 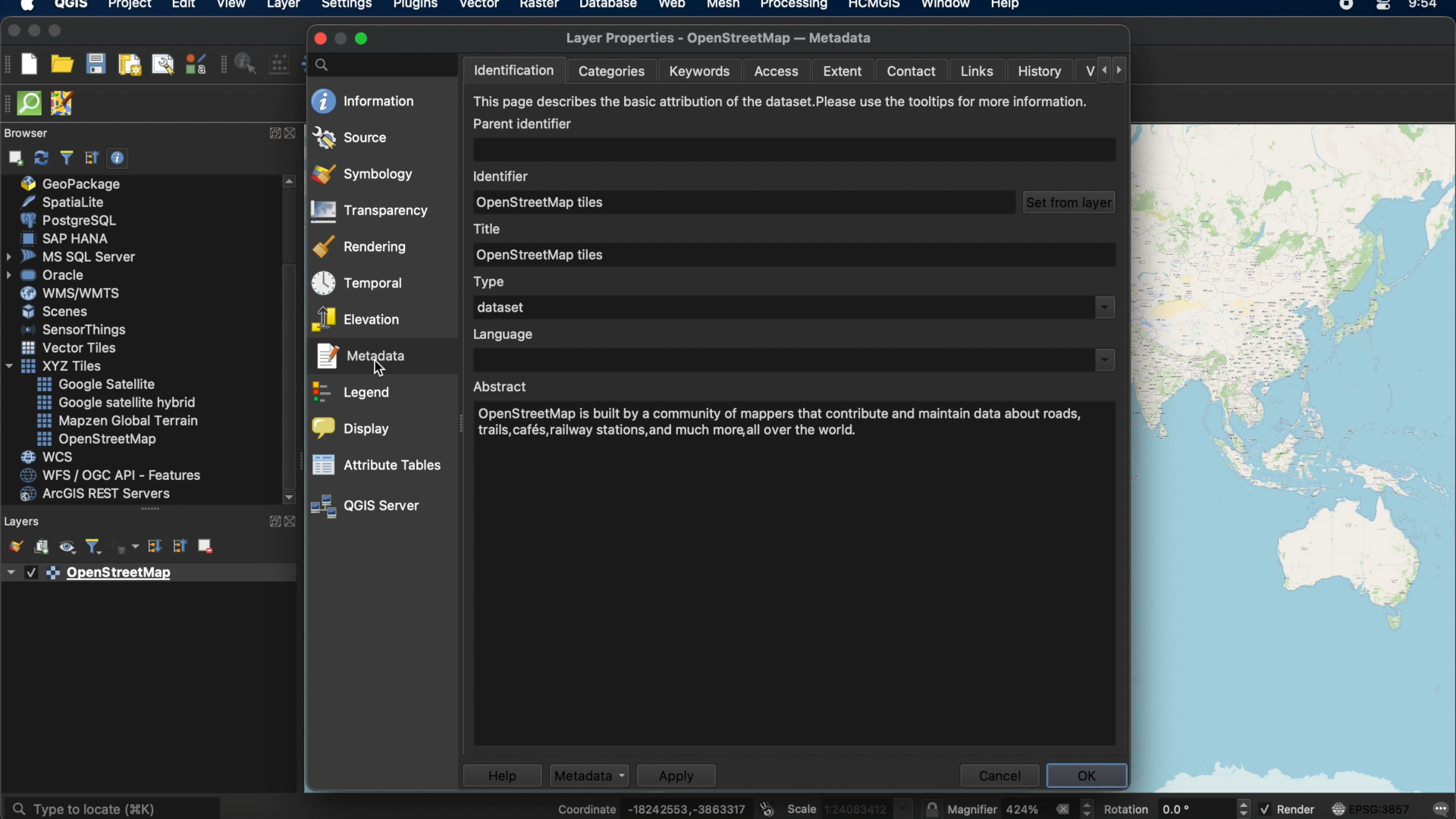 I want to click on dataset, so click(x=498, y=307).